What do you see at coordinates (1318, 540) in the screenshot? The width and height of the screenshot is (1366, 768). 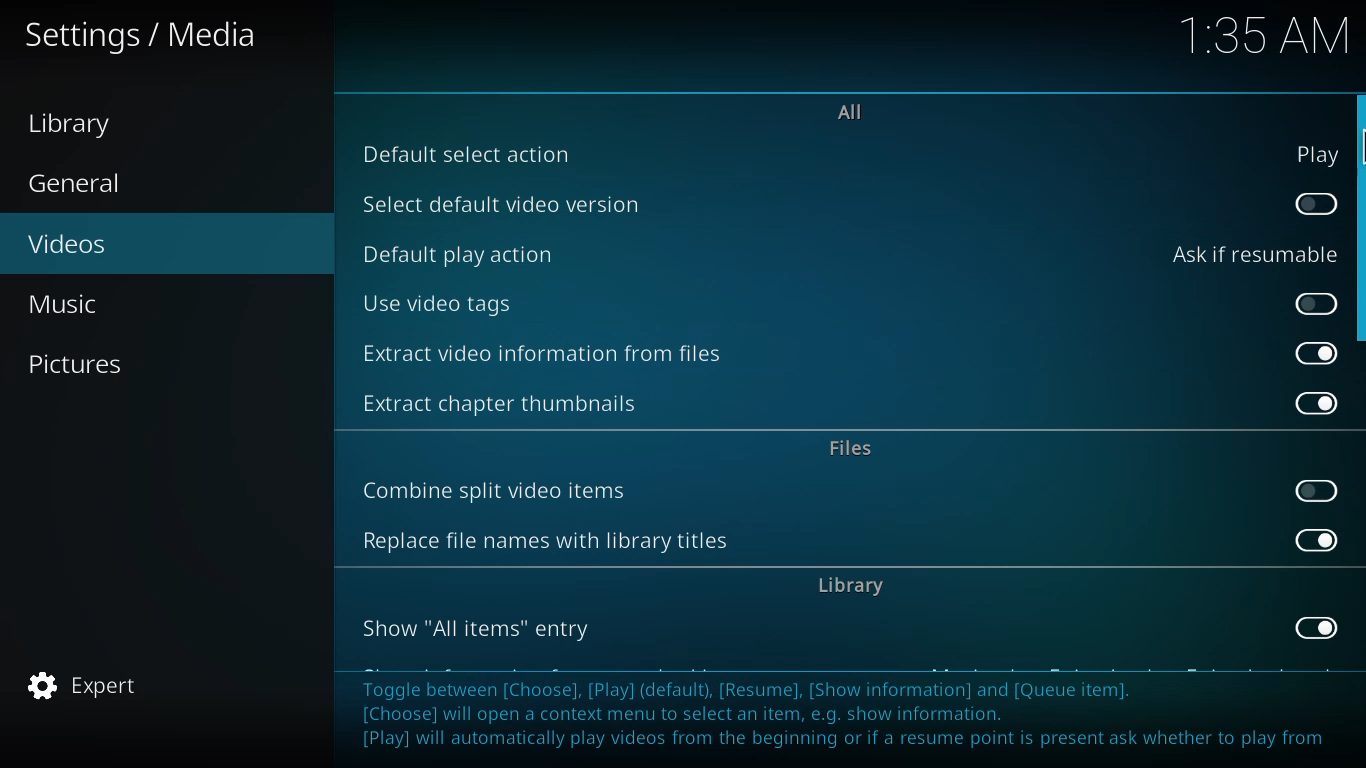 I see `enabled` at bounding box center [1318, 540].